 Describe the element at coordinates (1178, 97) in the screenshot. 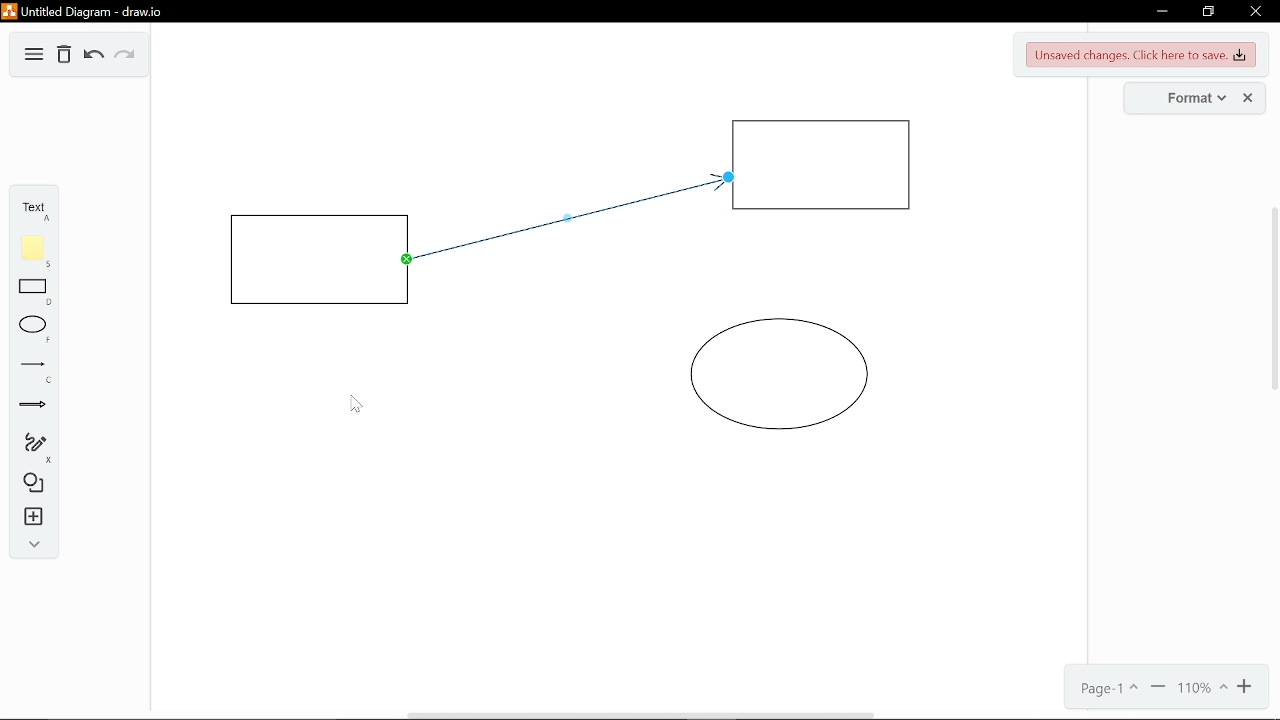

I see `Format` at that location.